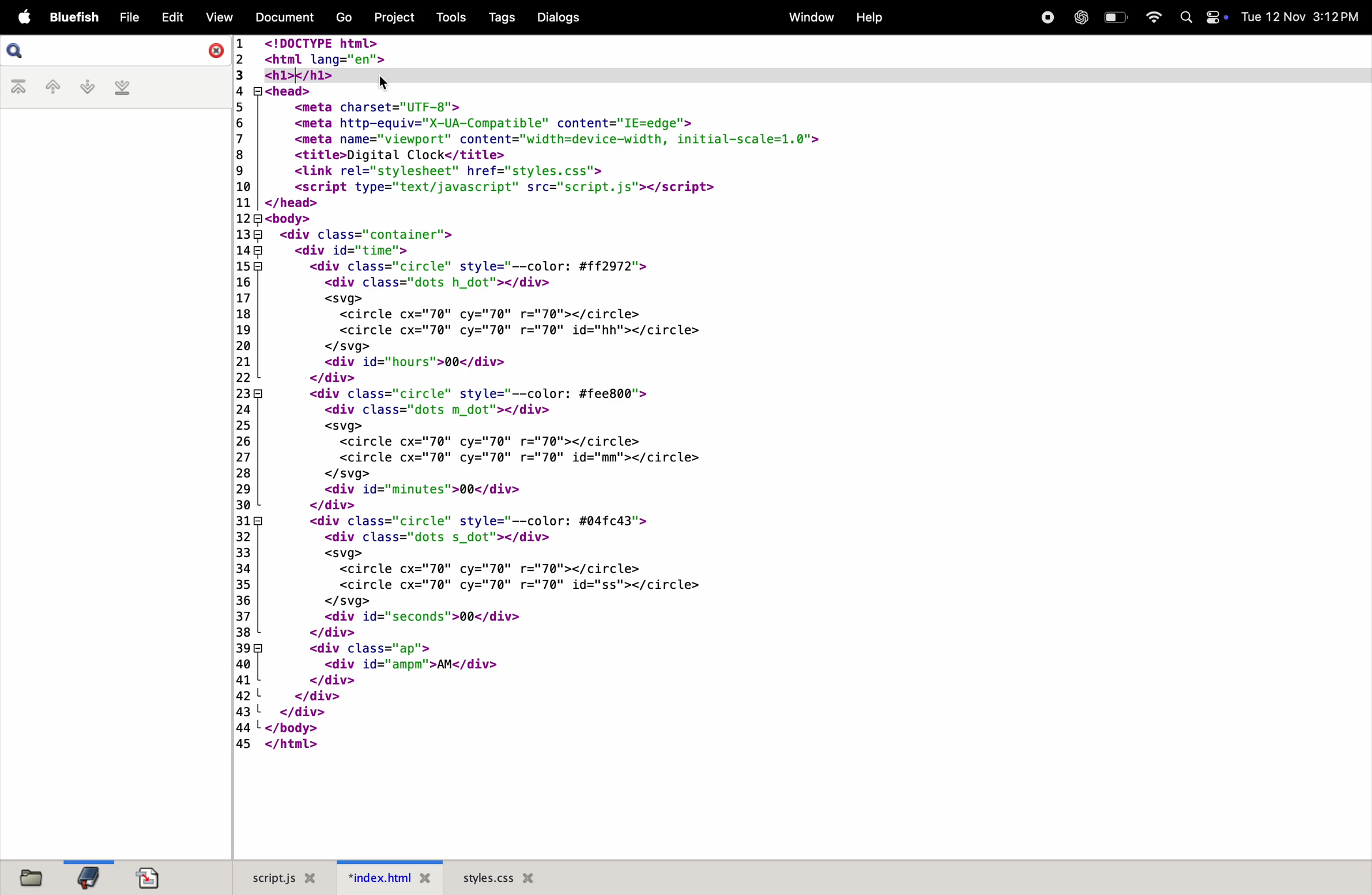  I want to click on edit, so click(172, 16).